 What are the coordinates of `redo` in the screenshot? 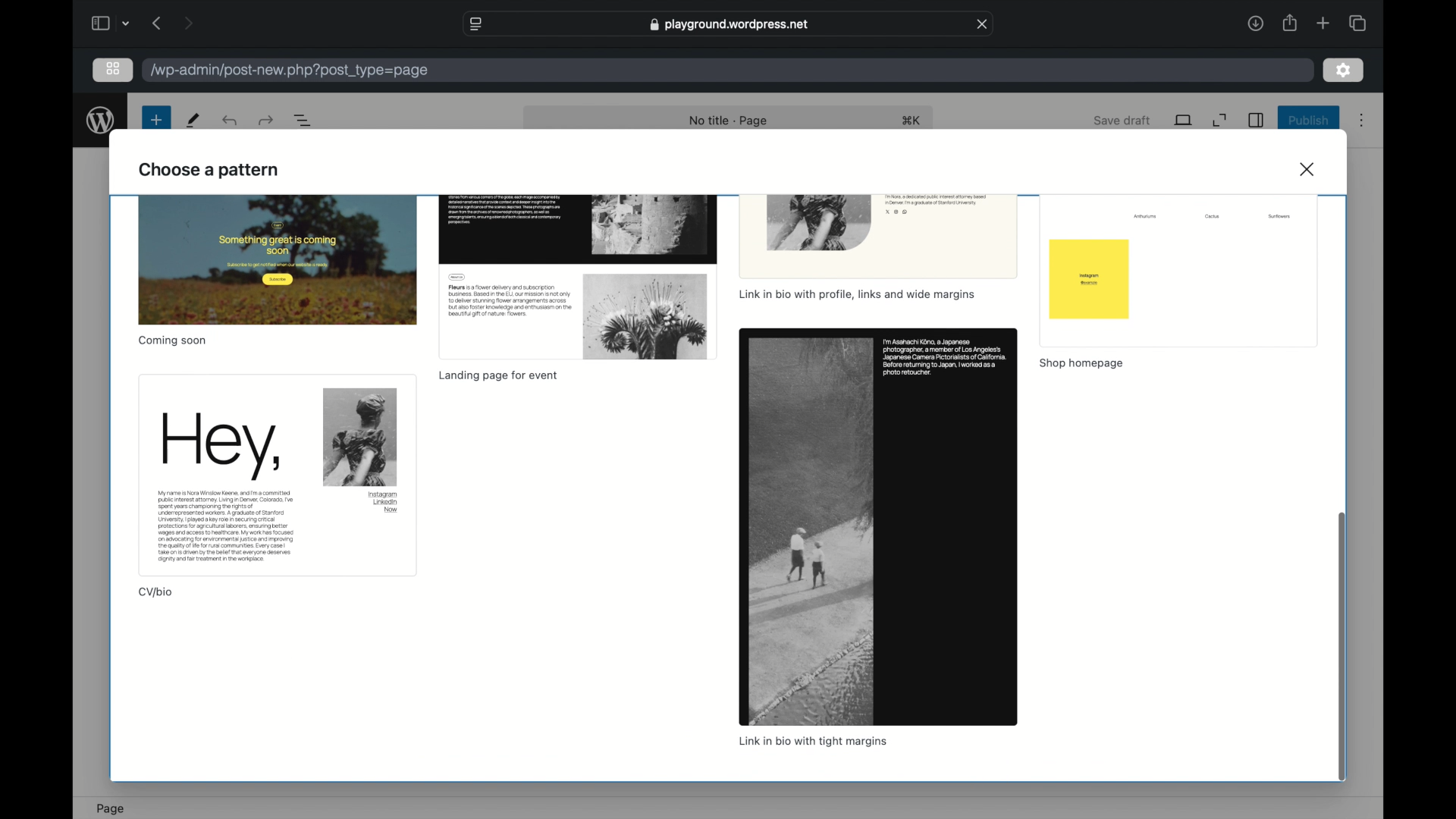 It's located at (231, 120).